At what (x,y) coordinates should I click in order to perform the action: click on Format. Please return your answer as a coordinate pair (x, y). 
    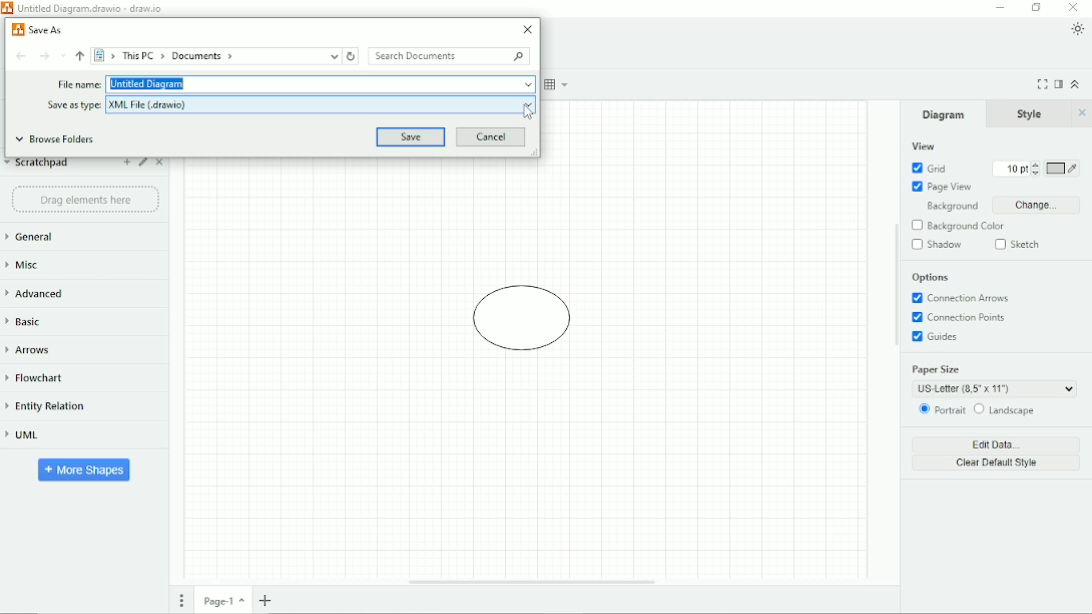
    Looking at the image, I should click on (1058, 85).